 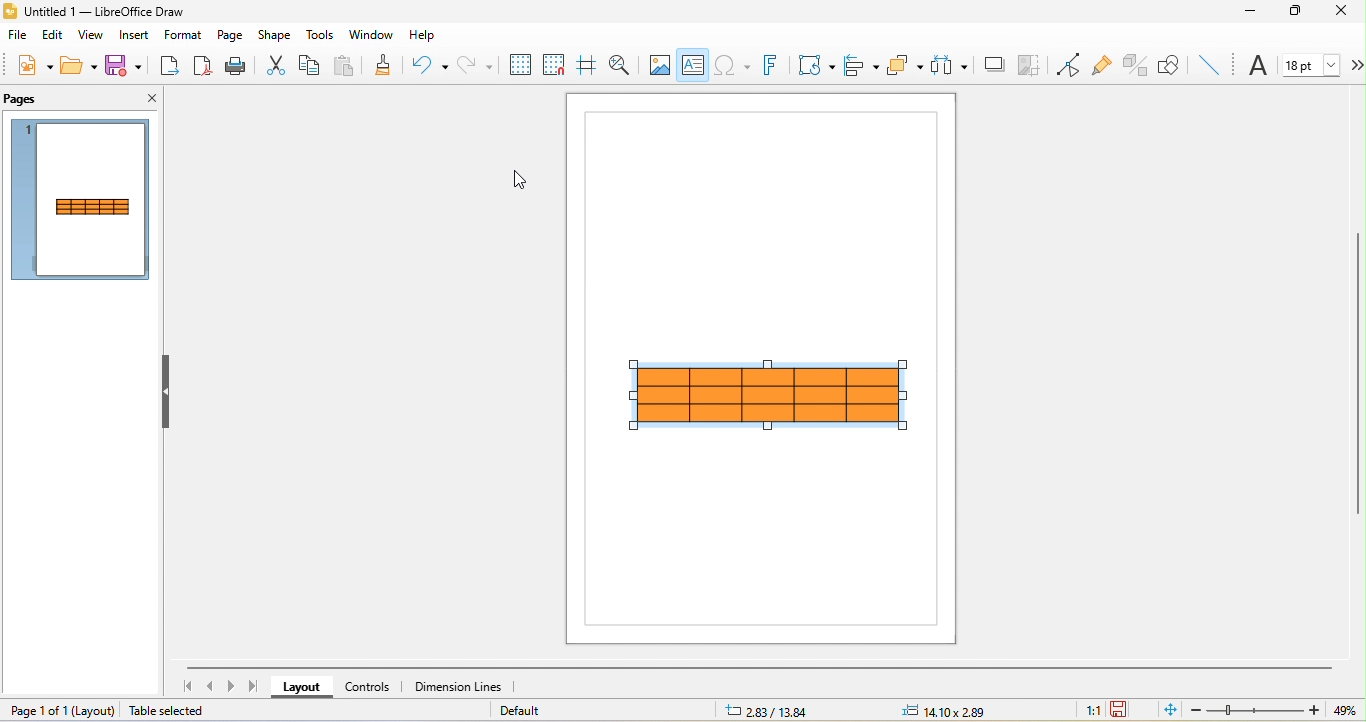 What do you see at coordinates (388, 67) in the screenshot?
I see `clone formatting` at bounding box center [388, 67].